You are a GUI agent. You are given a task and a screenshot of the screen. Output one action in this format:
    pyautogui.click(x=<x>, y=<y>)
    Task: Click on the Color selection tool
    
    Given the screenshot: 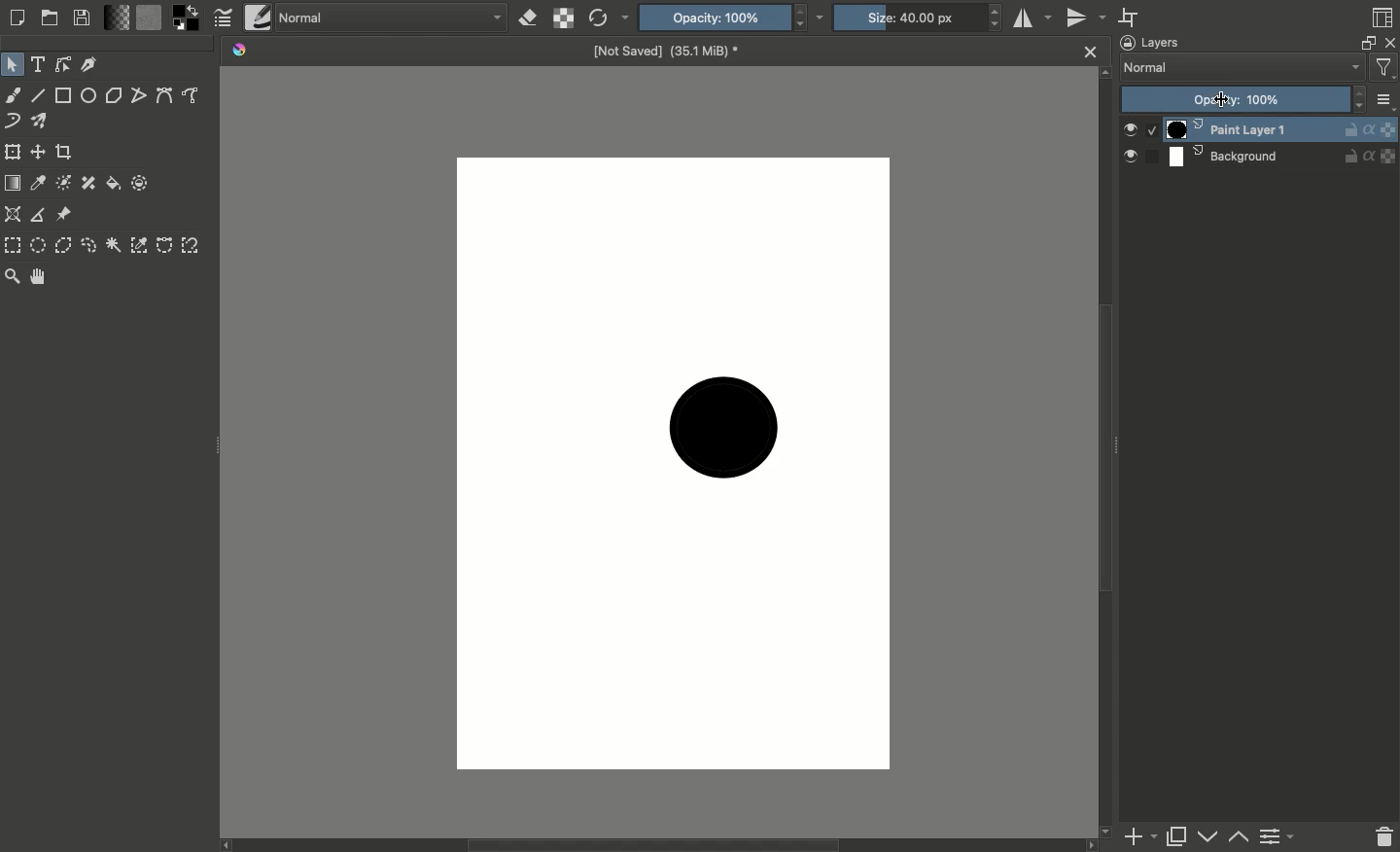 What is the action you would take?
    pyautogui.click(x=140, y=247)
    